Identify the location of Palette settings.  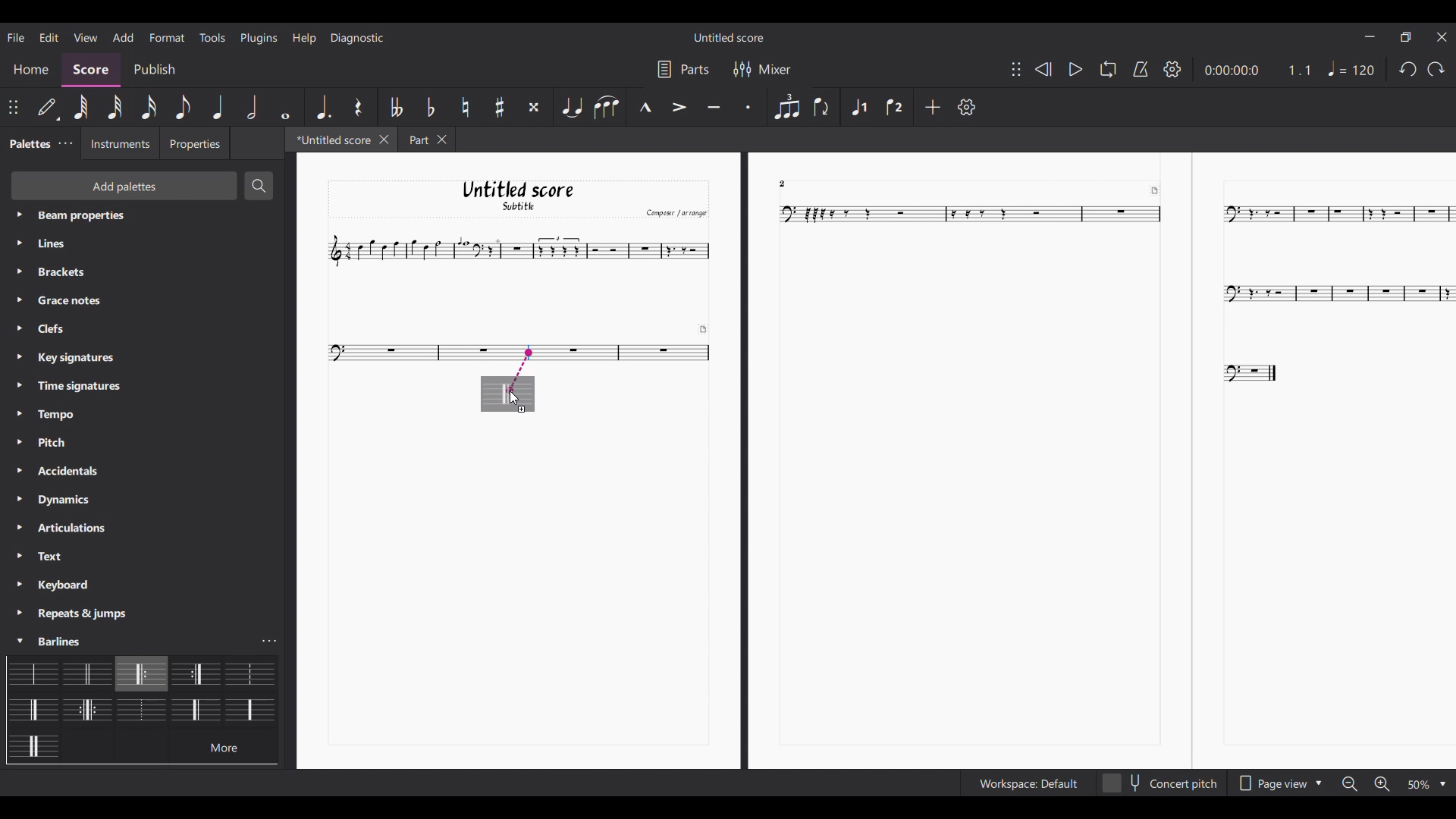
(65, 143).